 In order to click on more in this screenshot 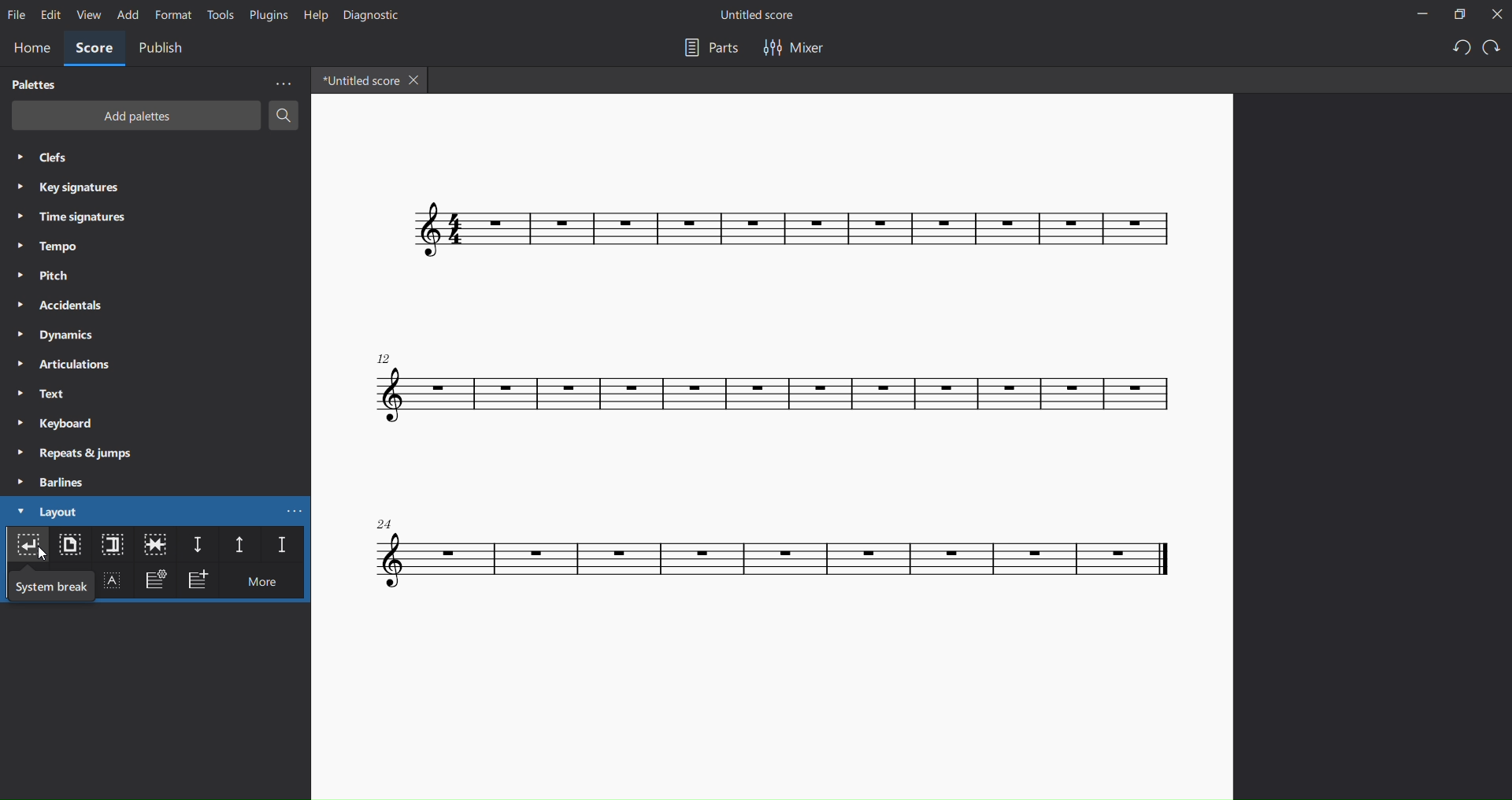, I will do `click(269, 584)`.